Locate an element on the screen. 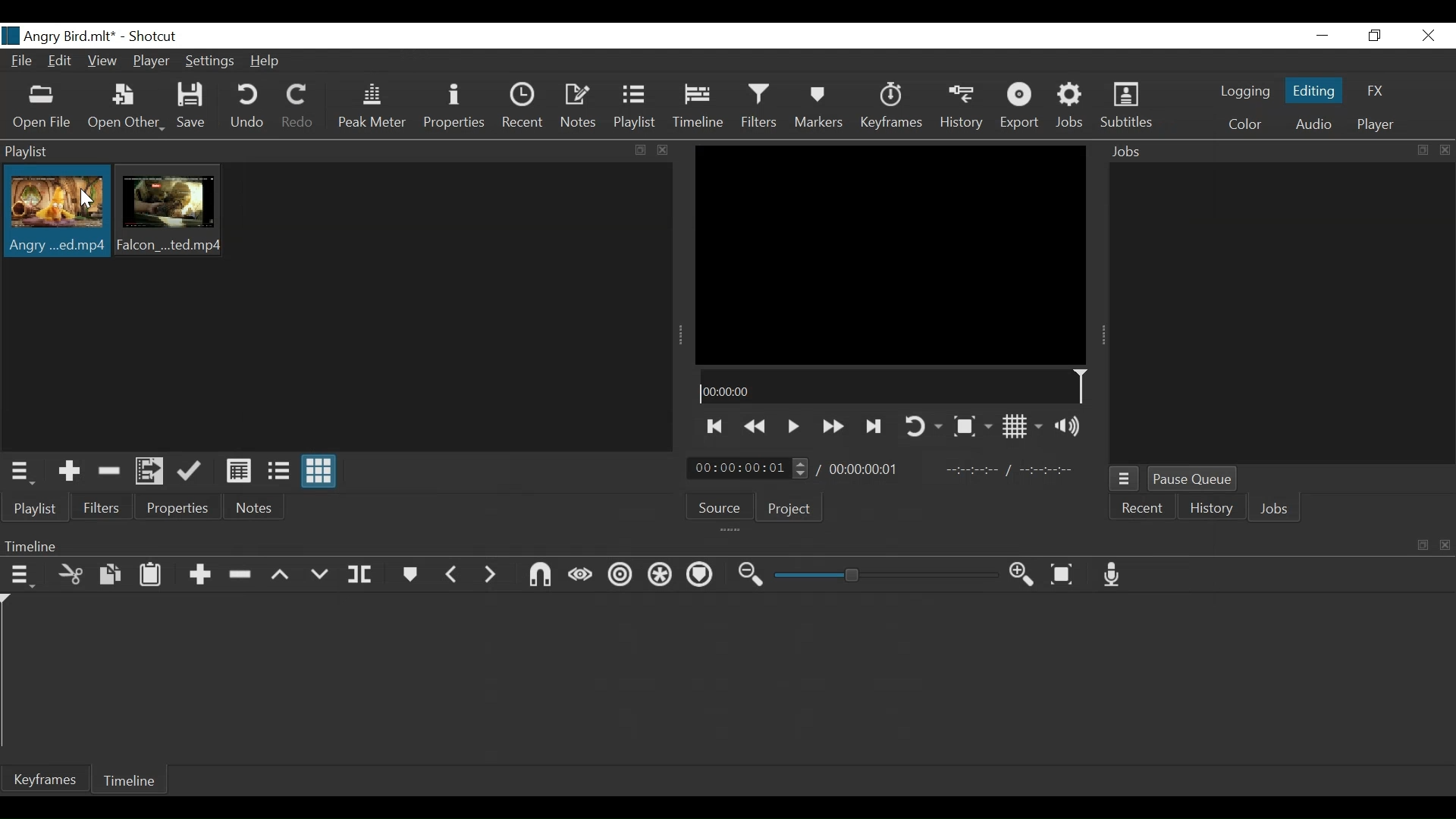 The width and height of the screenshot is (1456, 819). Open Other is located at coordinates (125, 107).